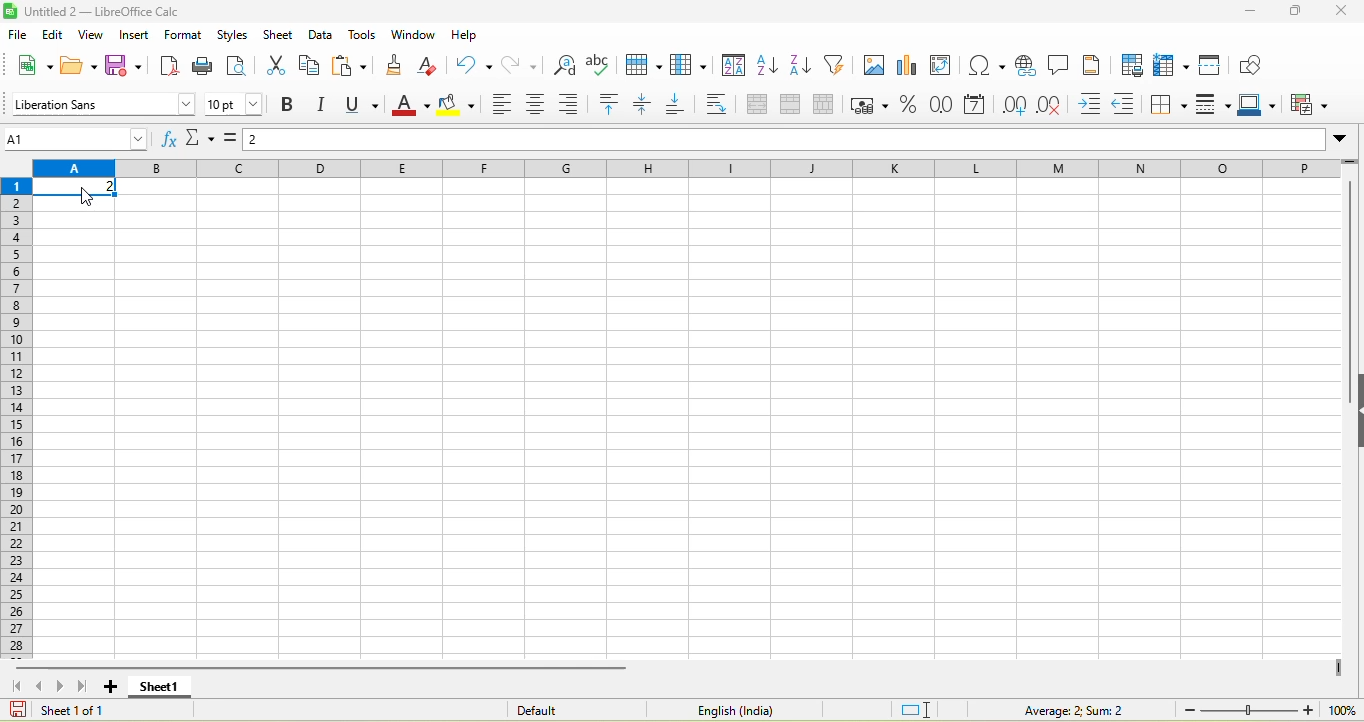  What do you see at coordinates (563, 709) in the screenshot?
I see `default` at bounding box center [563, 709].